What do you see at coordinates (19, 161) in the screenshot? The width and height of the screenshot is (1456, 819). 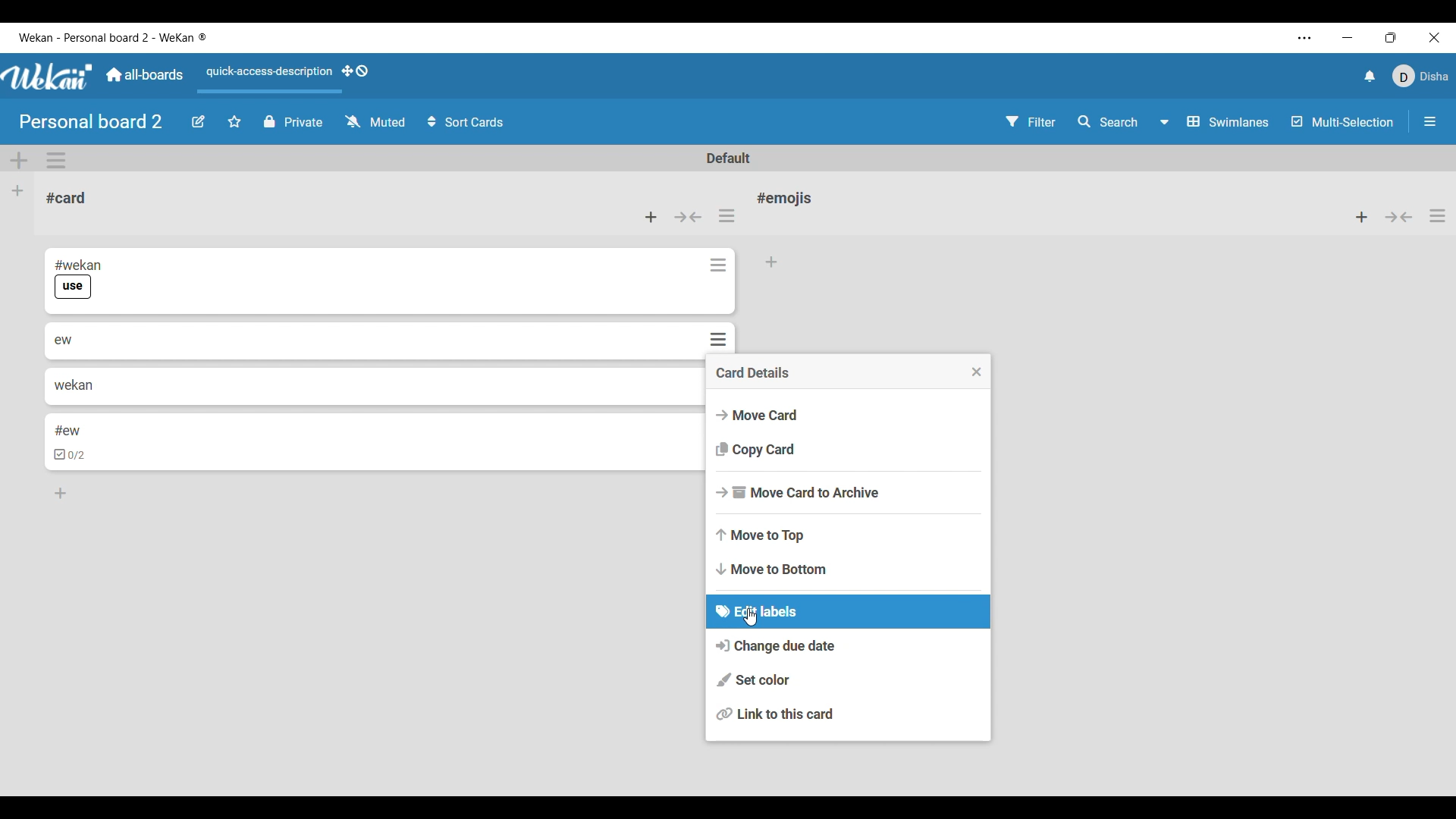 I see `Add swimlane` at bounding box center [19, 161].